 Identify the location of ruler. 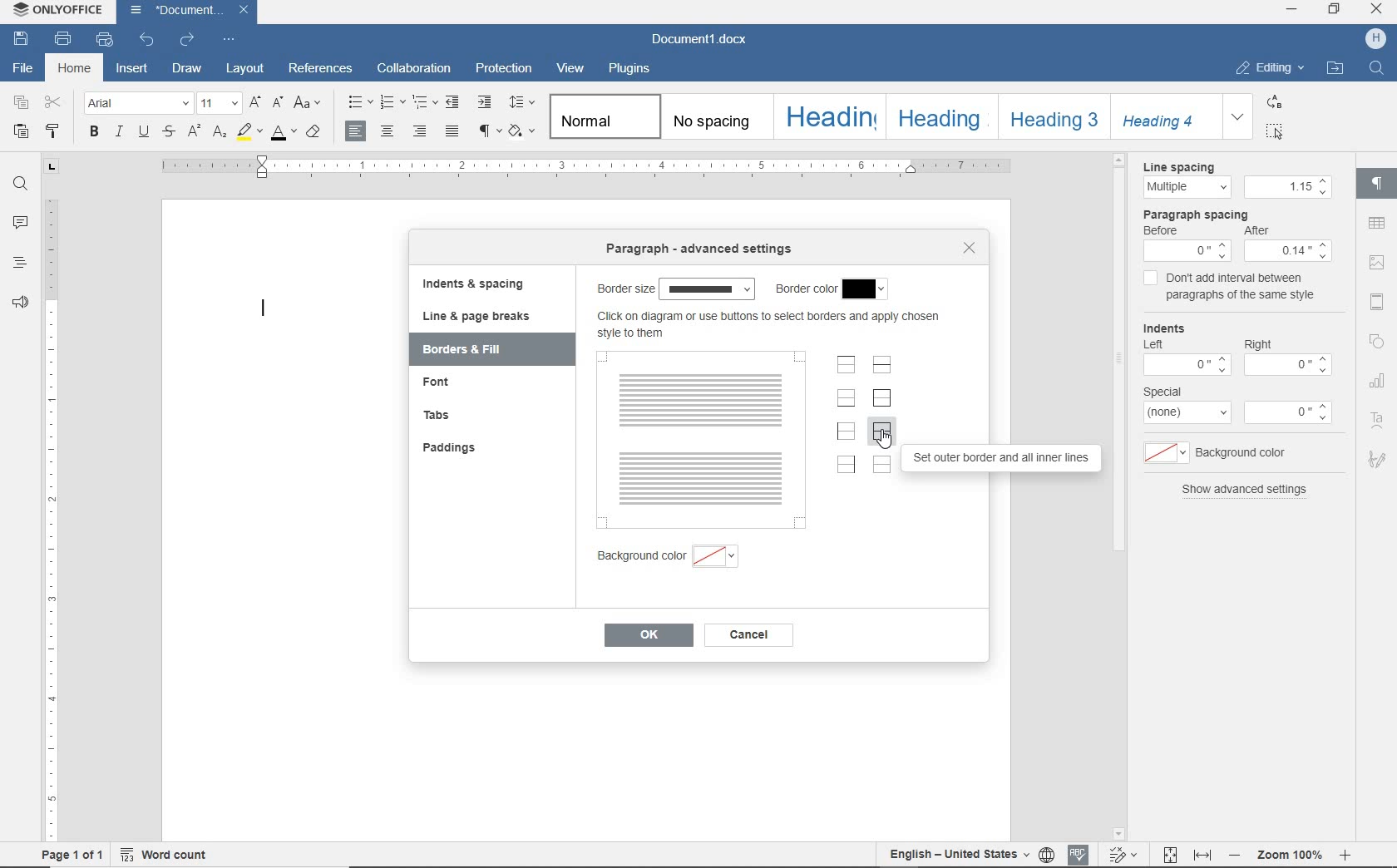
(52, 501).